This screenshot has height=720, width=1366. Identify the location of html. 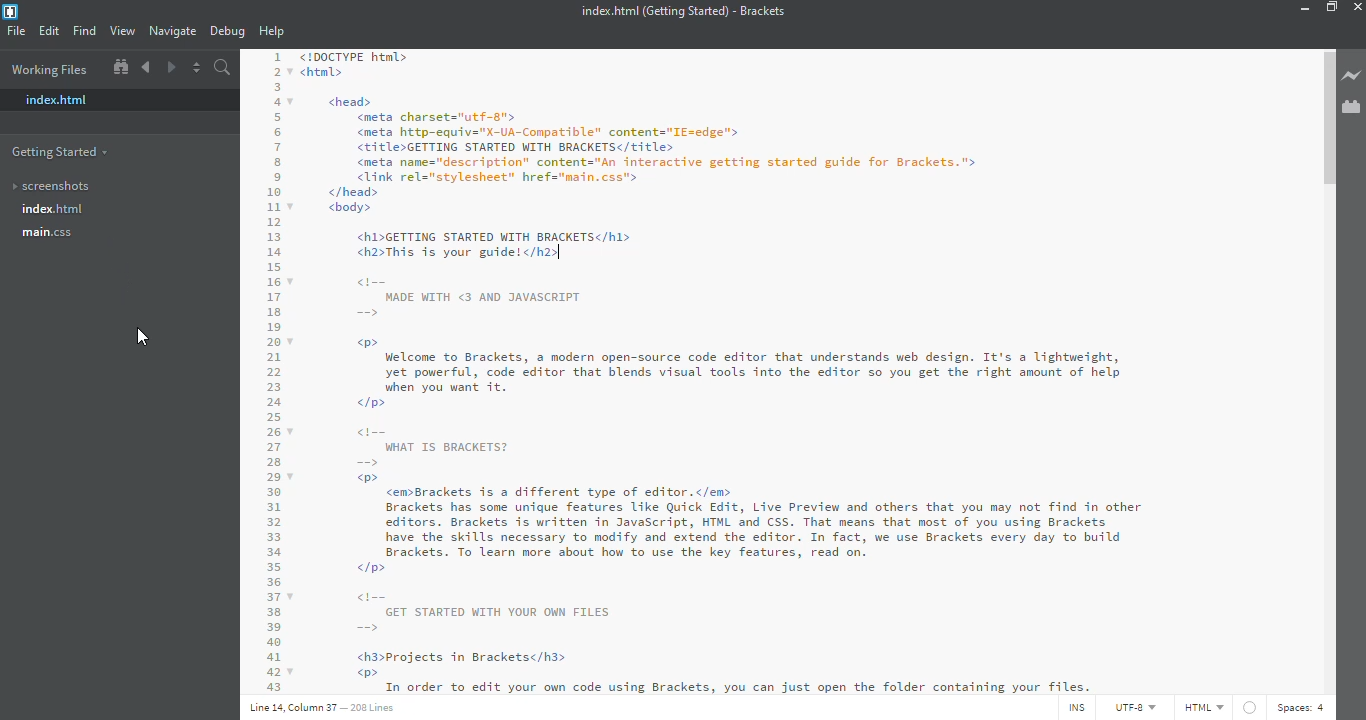
(1204, 708).